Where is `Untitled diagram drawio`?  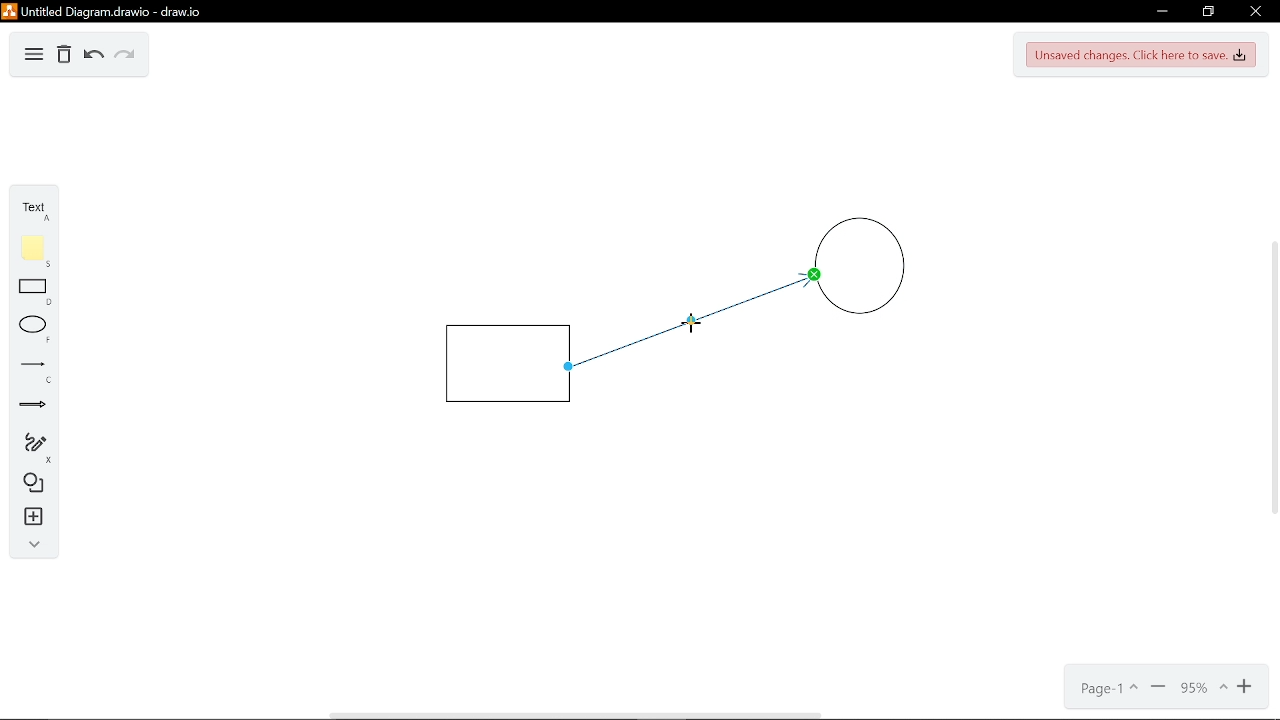 Untitled diagram drawio is located at coordinates (104, 13).